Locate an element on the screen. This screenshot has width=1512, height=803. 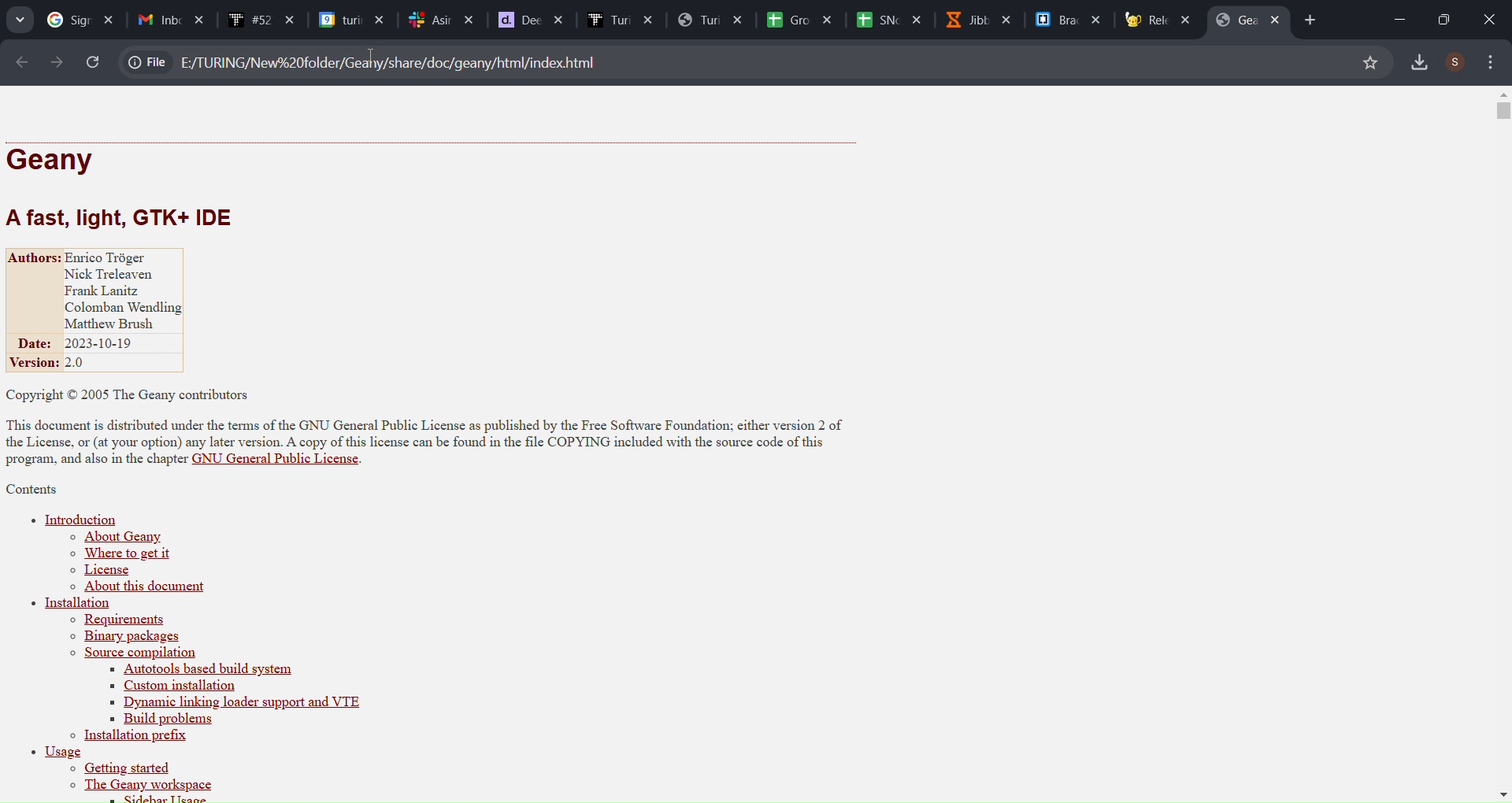
previous is located at coordinates (20, 61).